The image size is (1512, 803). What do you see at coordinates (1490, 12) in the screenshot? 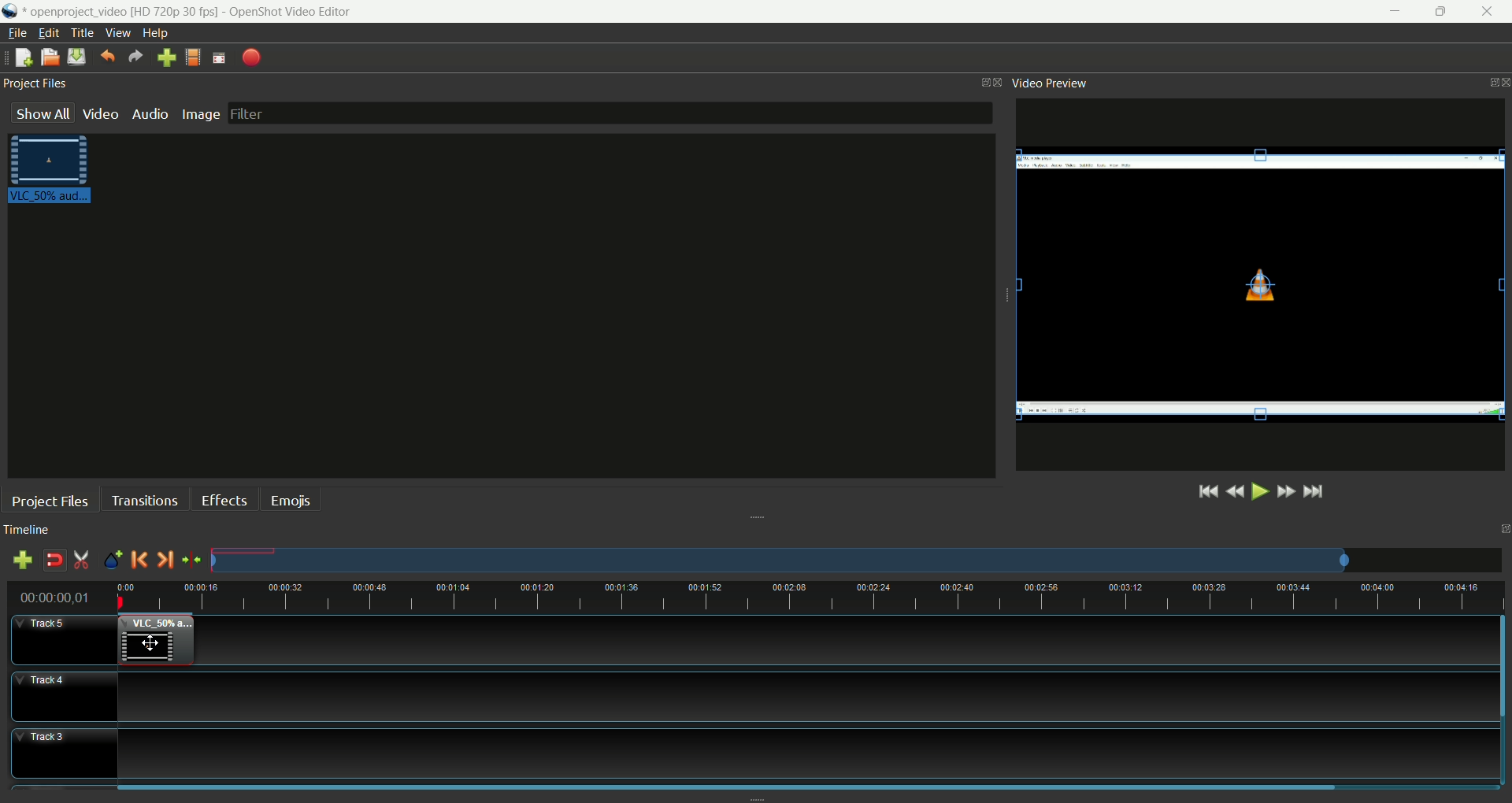
I see `close` at bounding box center [1490, 12].